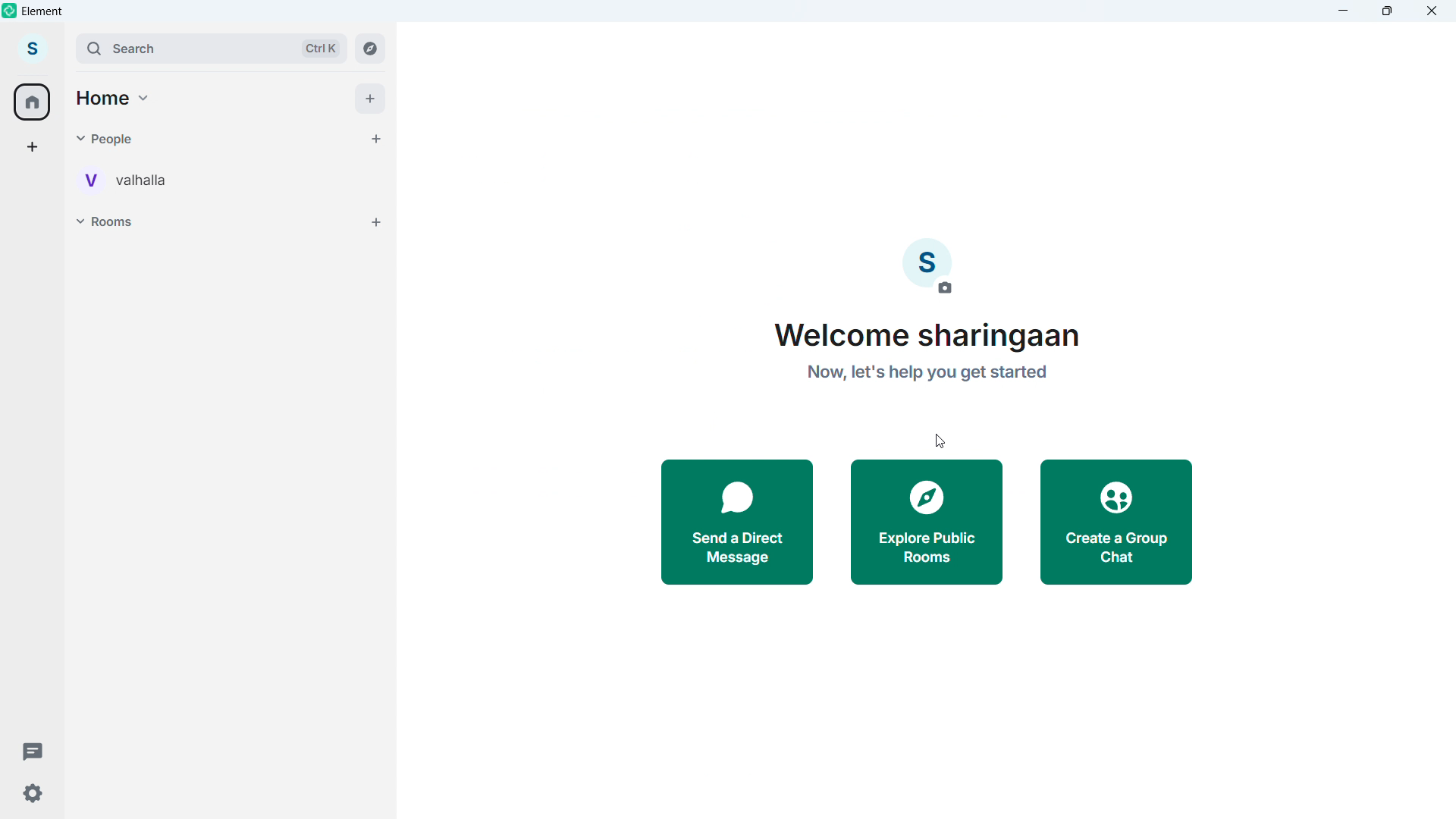 The image size is (1456, 819). Describe the element at coordinates (112, 221) in the screenshot. I see `Rooms ` at that location.